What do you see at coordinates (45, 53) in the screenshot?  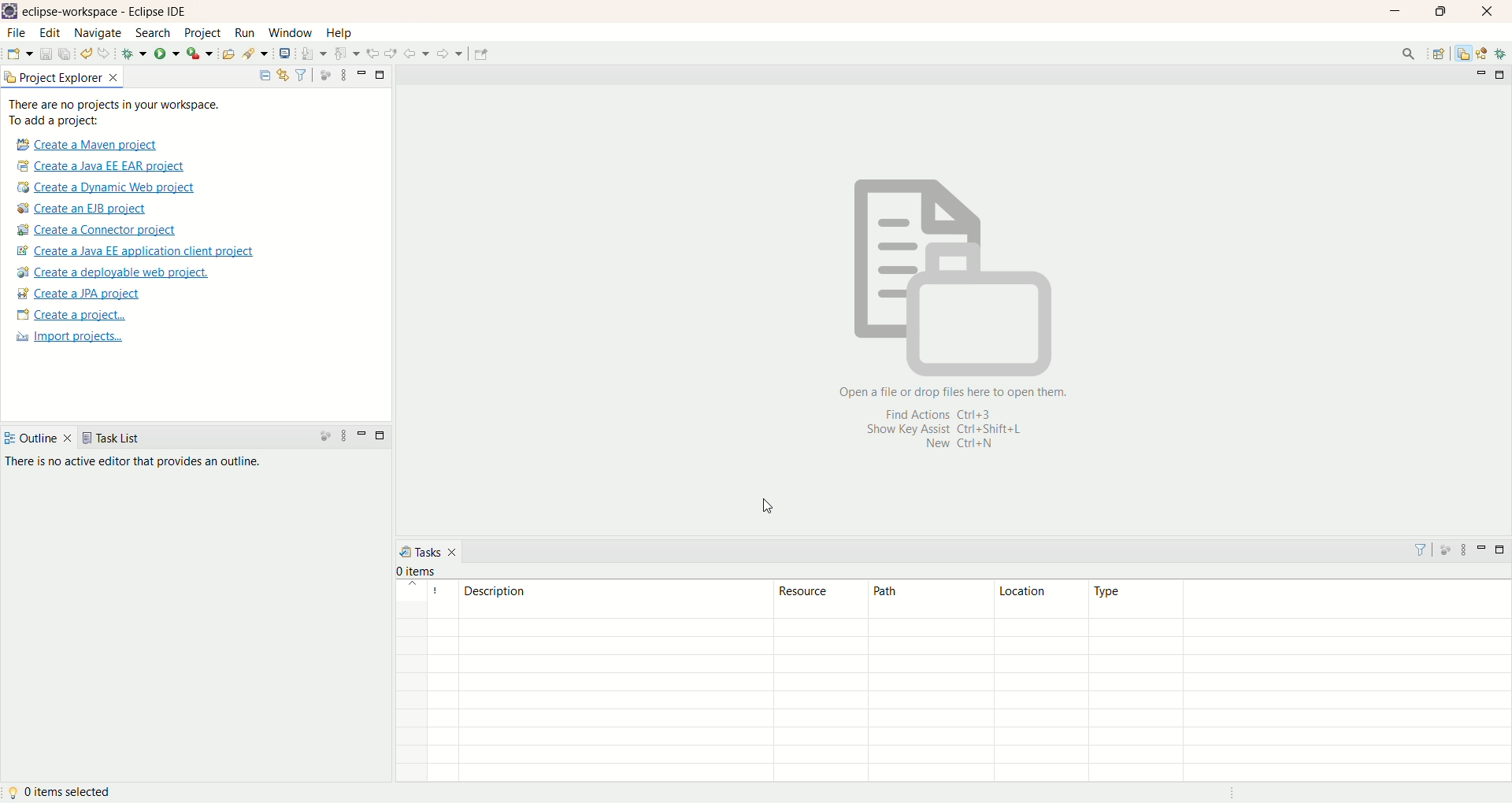 I see `save` at bounding box center [45, 53].